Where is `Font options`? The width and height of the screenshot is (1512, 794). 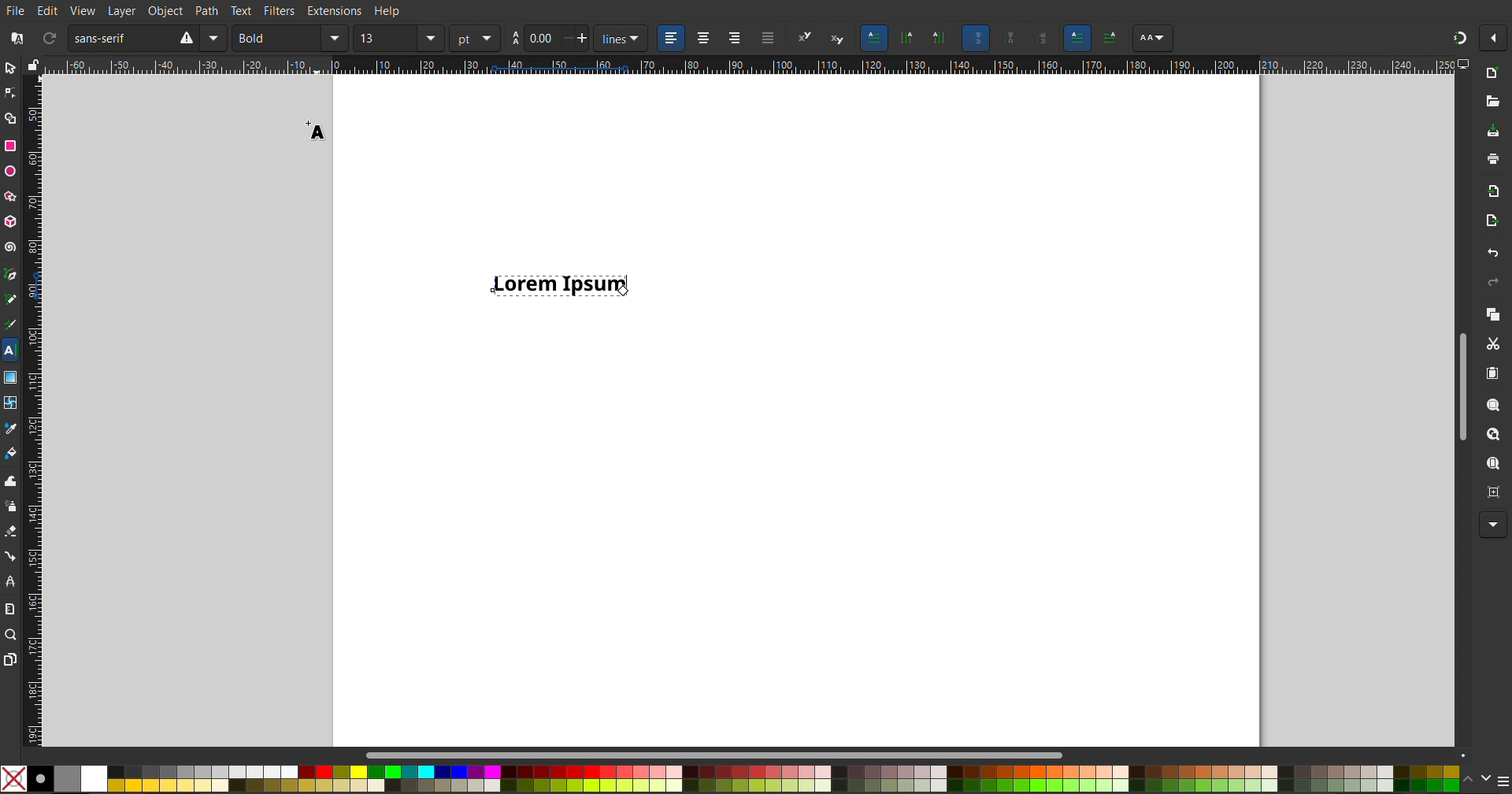
Font options is located at coordinates (1152, 39).